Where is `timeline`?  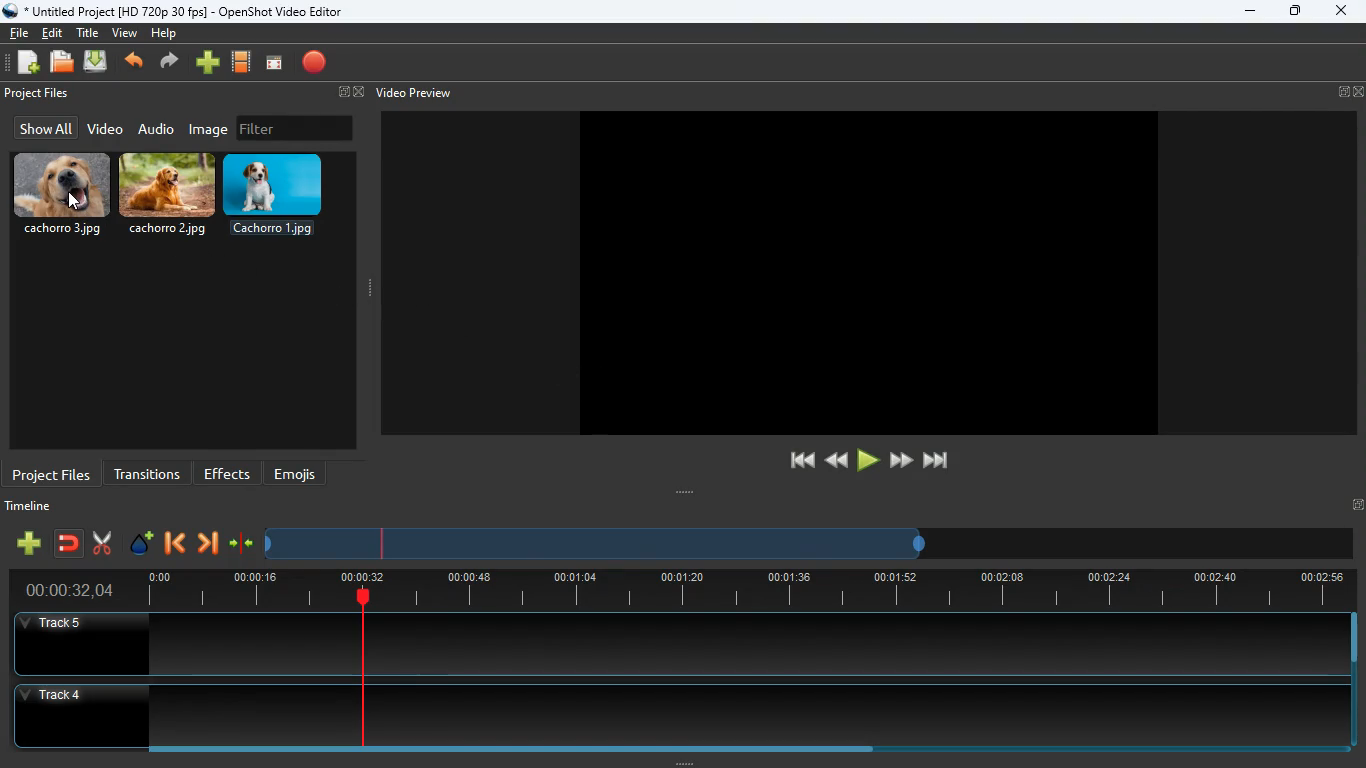 timeline is located at coordinates (751, 589).